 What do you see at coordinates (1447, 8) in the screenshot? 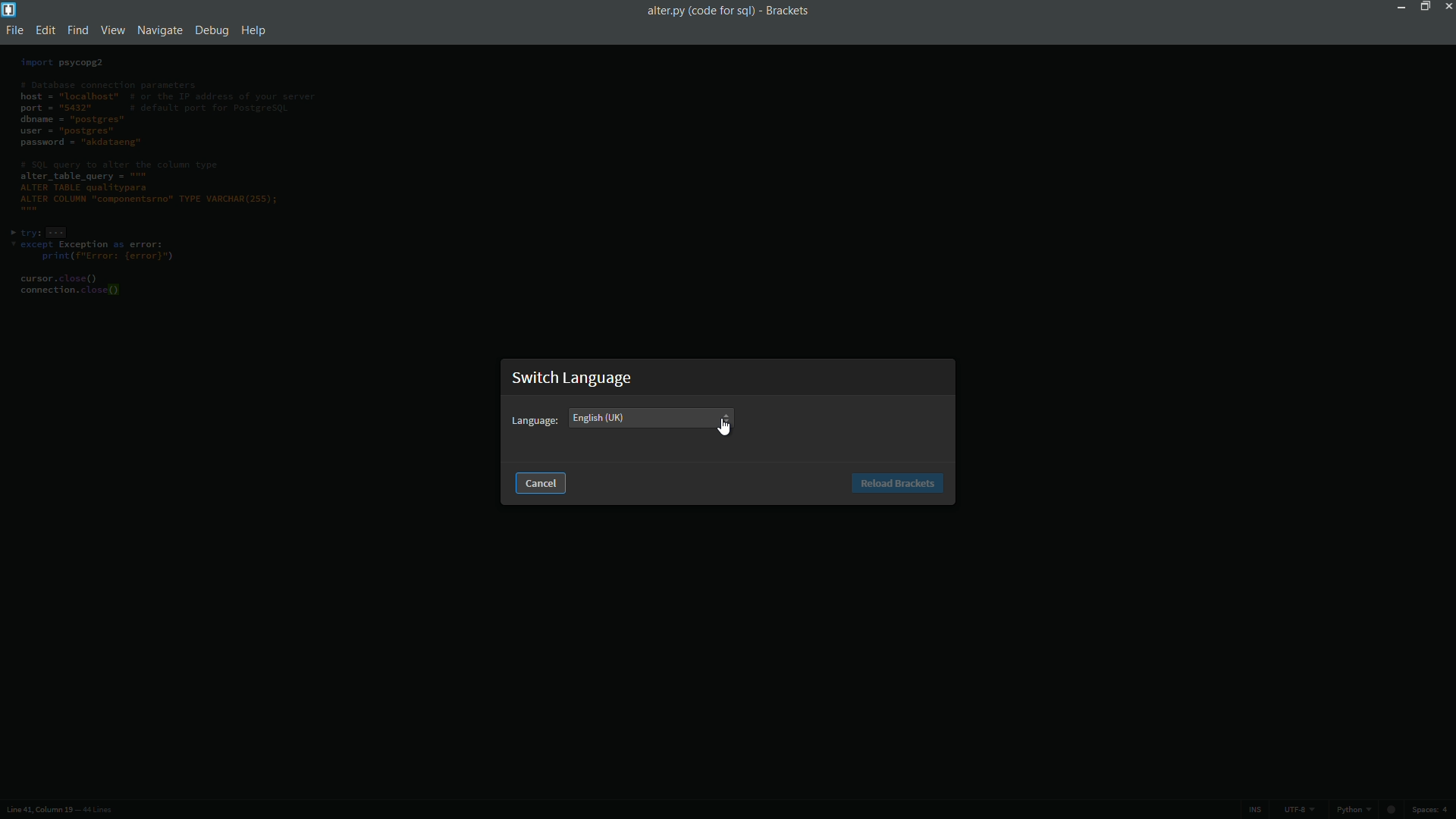
I see `close app` at bounding box center [1447, 8].